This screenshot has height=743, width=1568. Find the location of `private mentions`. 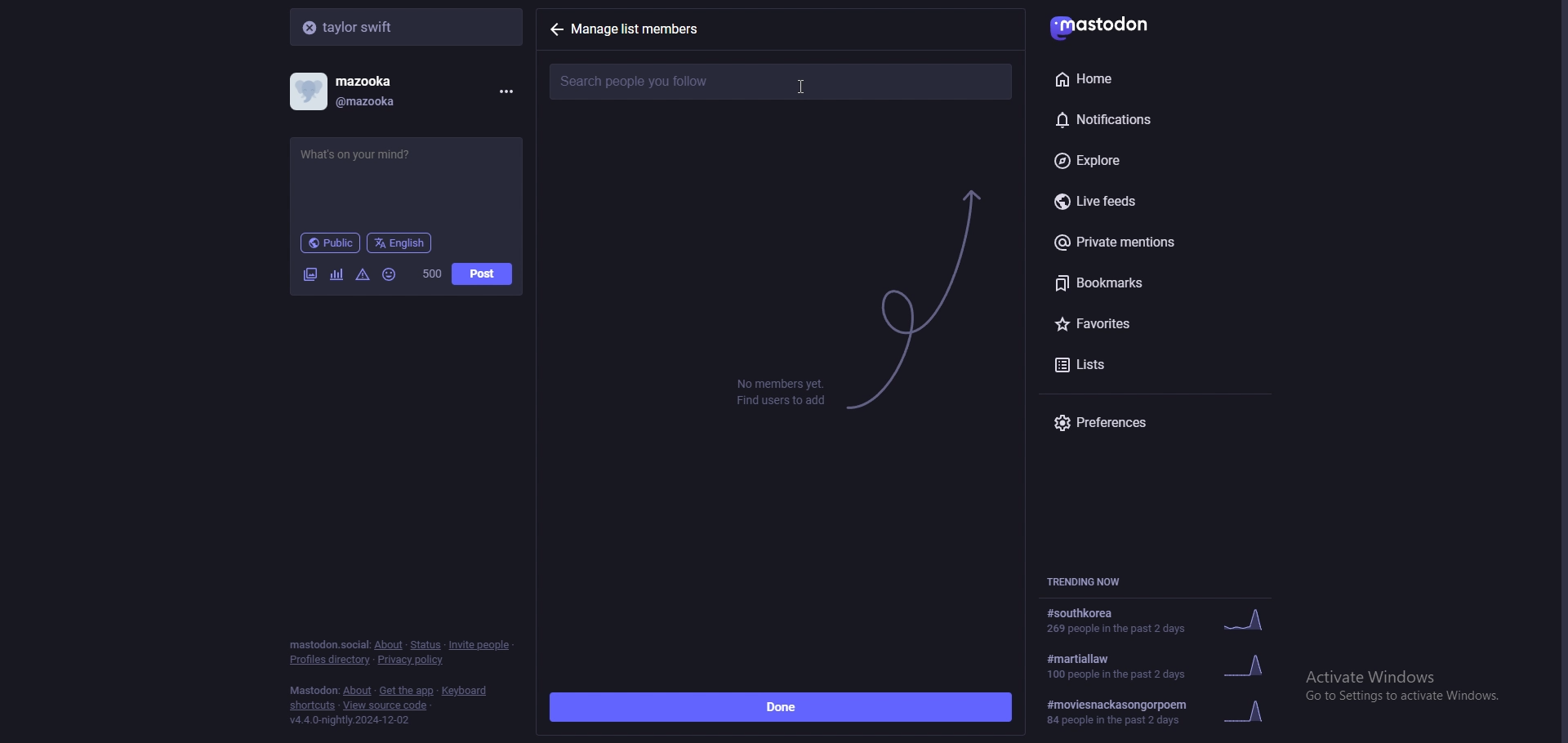

private mentions is located at coordinates (1153, 242).